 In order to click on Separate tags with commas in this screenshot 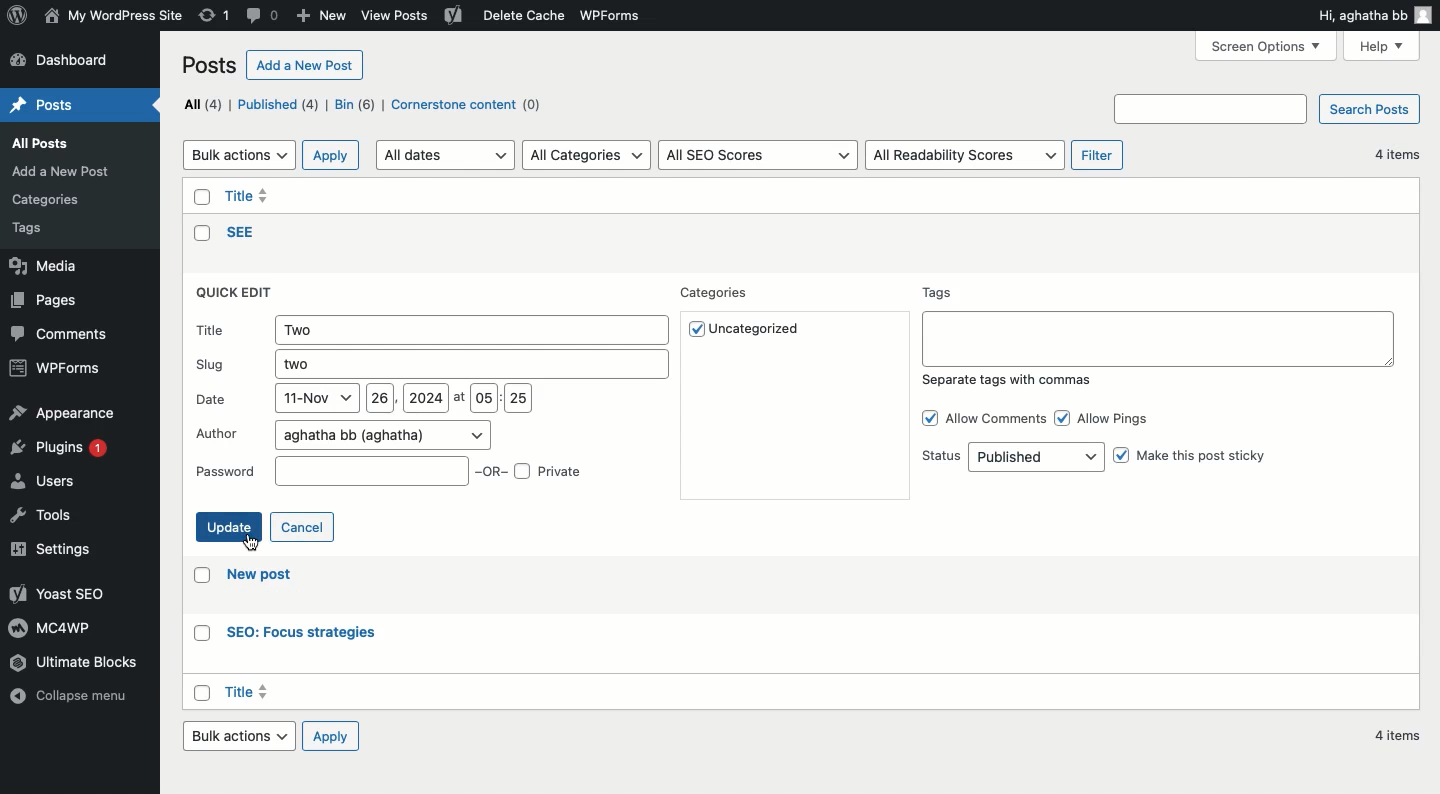, I will do `click(1010, 383)`.